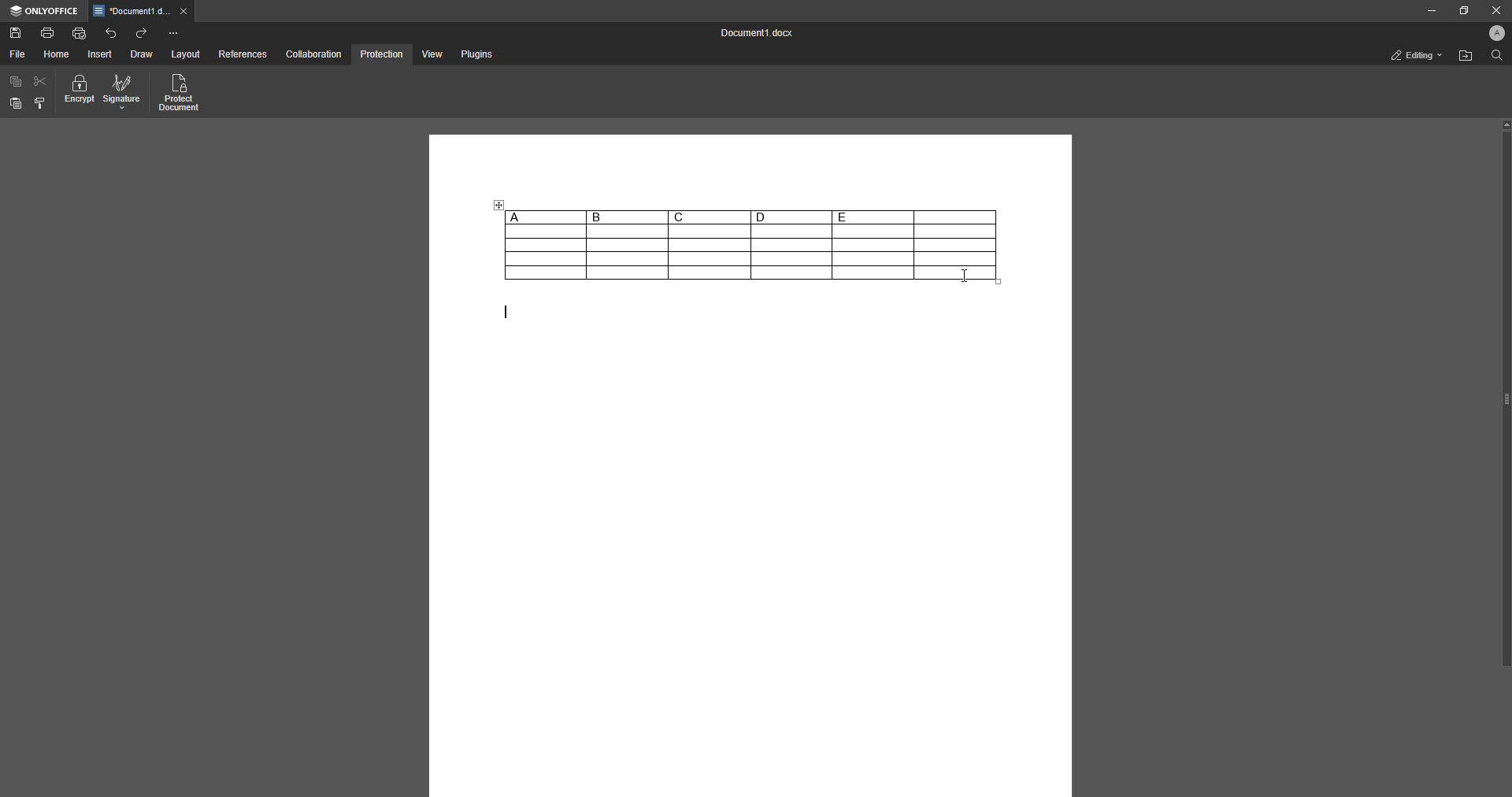 The image size is (1512, 797). Describe the element at coordinates (80, 32) in the screenshot. I see `Quick print` at that location.